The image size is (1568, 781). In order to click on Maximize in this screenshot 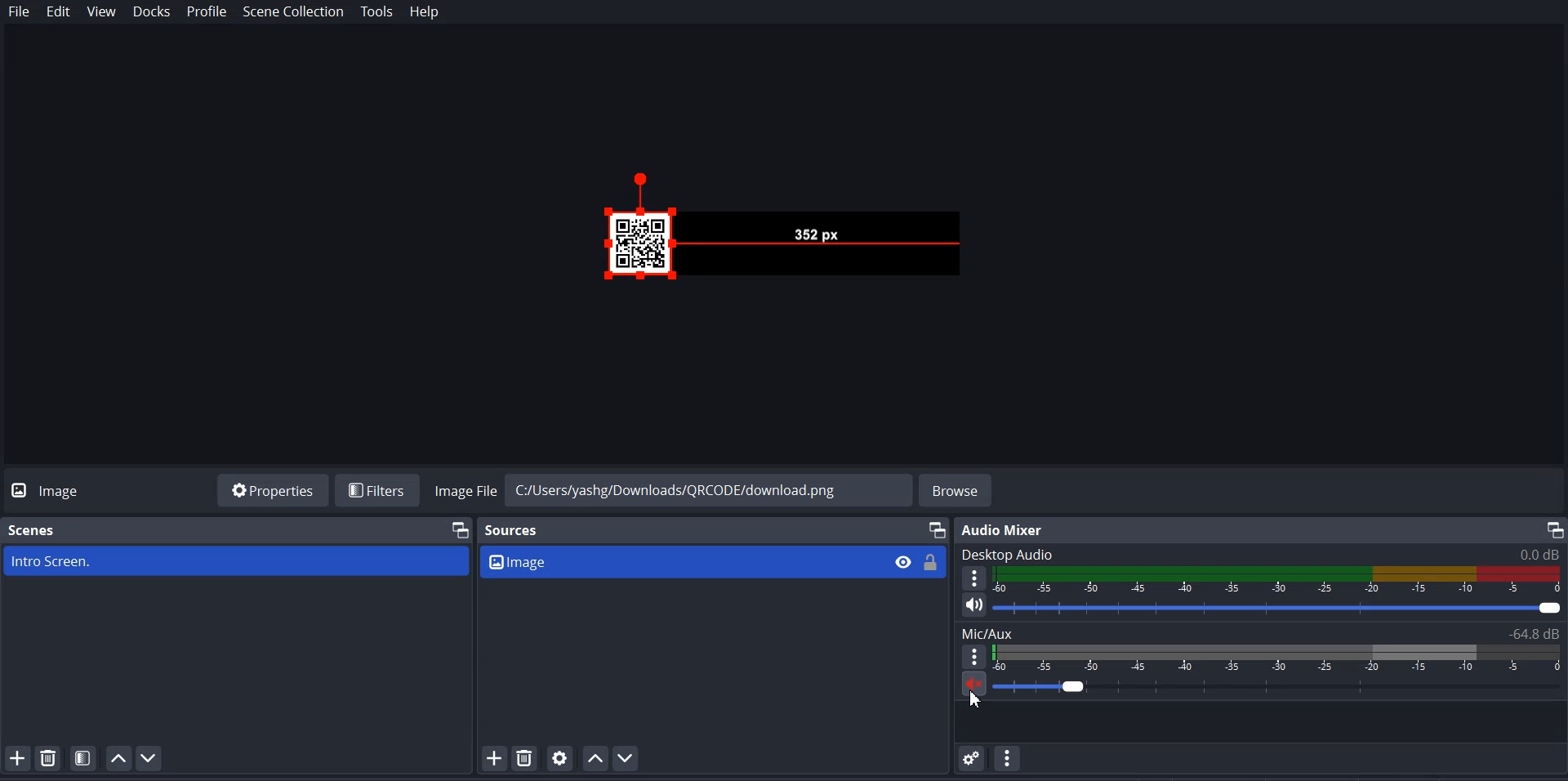, I will do `click(1553, 529)`.